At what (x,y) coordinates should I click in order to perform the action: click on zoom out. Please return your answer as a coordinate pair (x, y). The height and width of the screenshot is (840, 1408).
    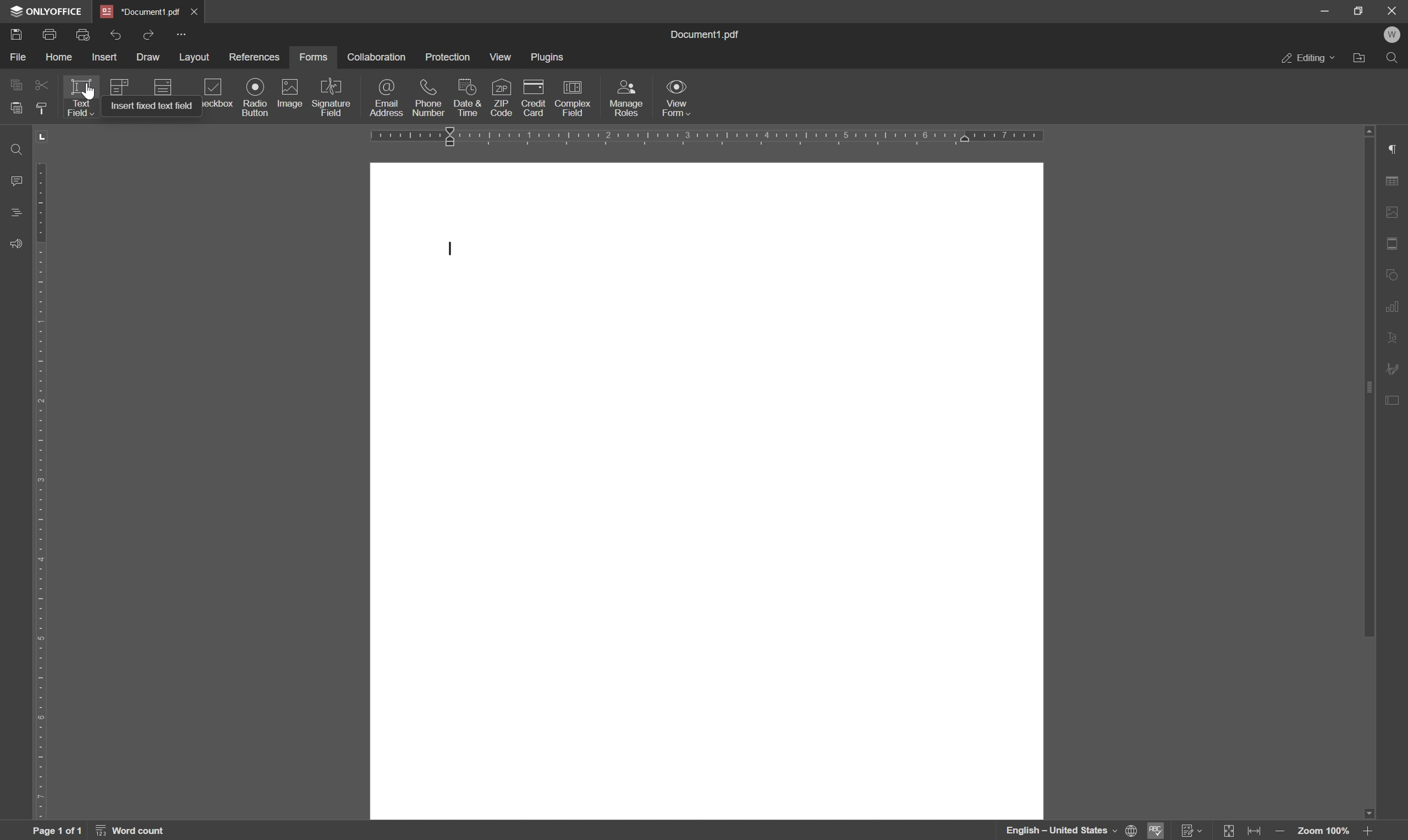
    Looking at the image, I should click on (1281, 832).